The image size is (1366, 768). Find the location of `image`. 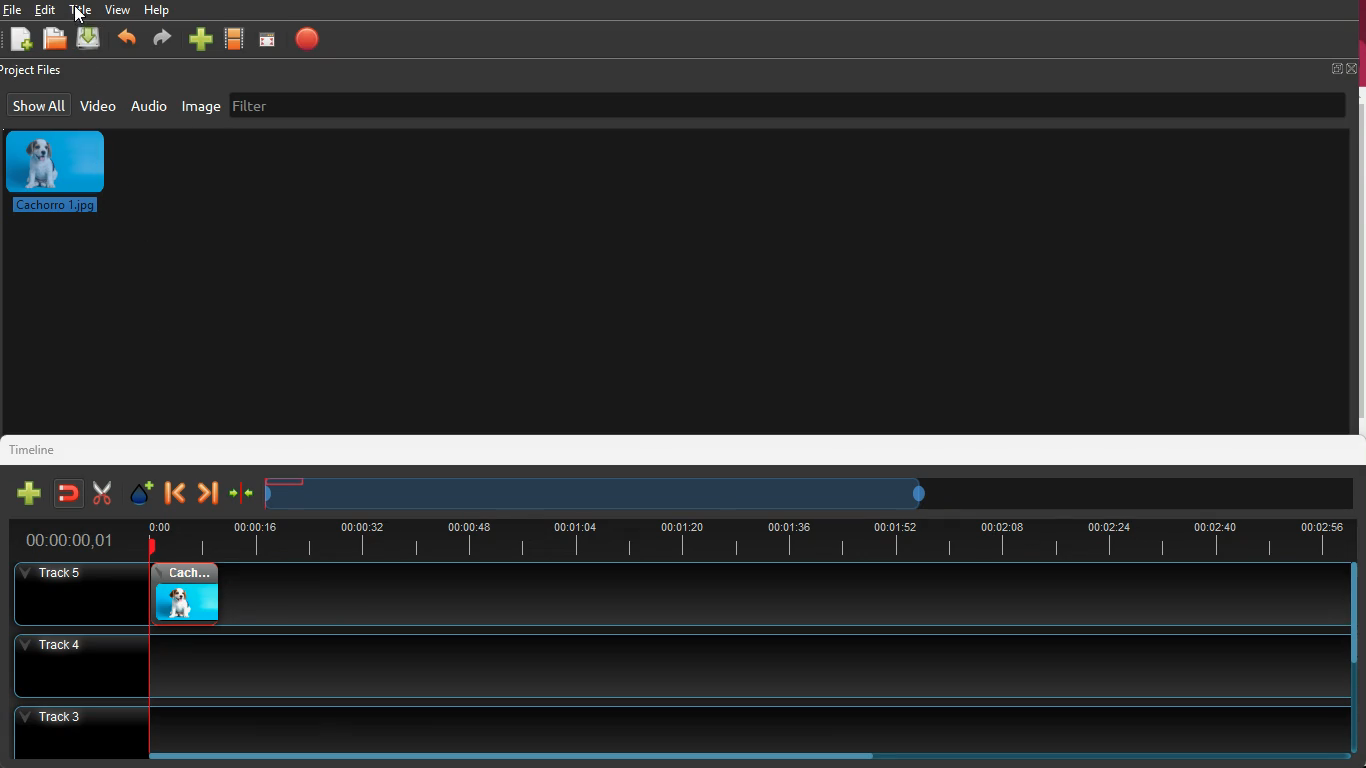

image is located at coordinates (64, 172).